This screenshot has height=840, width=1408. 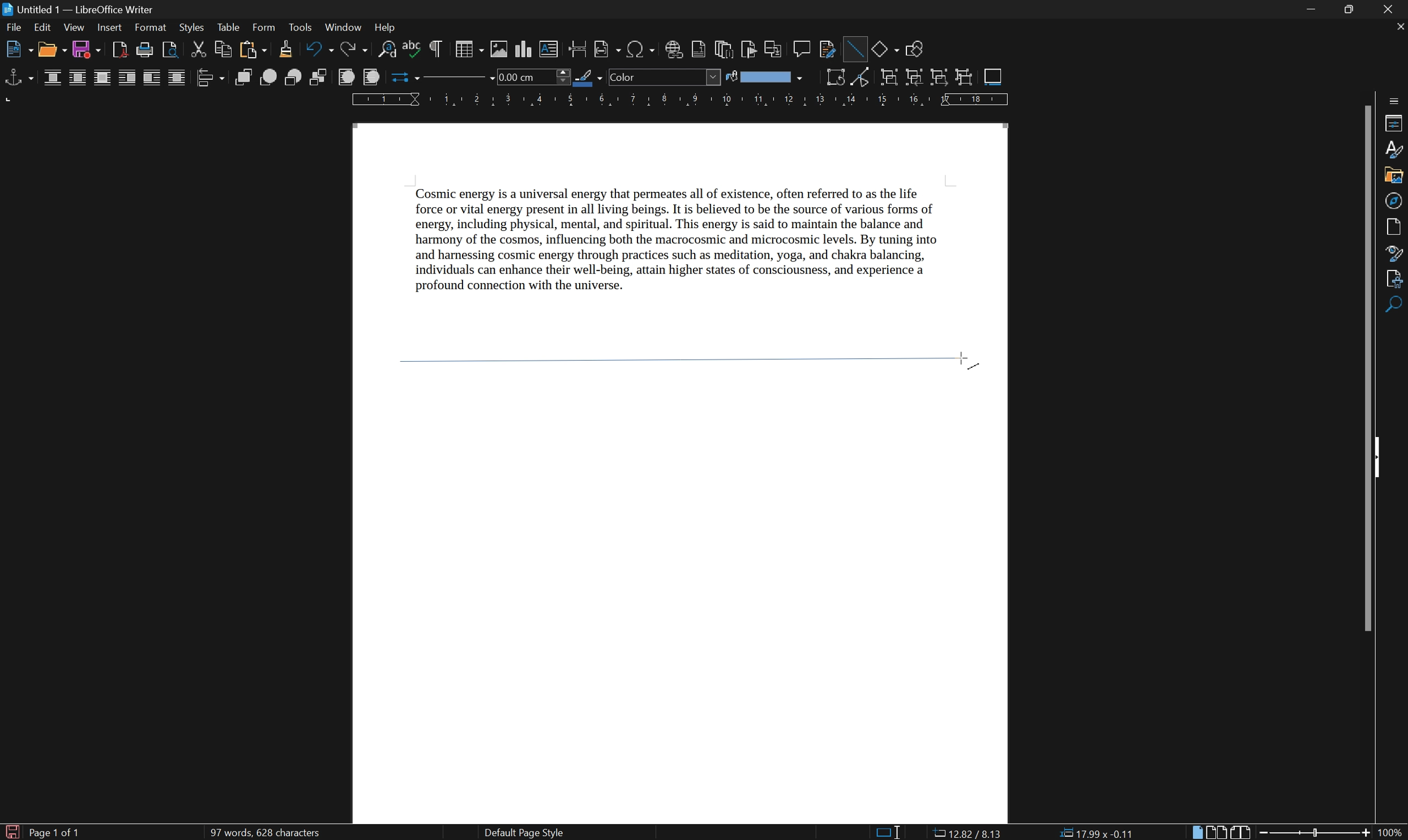 I want to click on toggle point edit mode, so click(x=865, y=79).